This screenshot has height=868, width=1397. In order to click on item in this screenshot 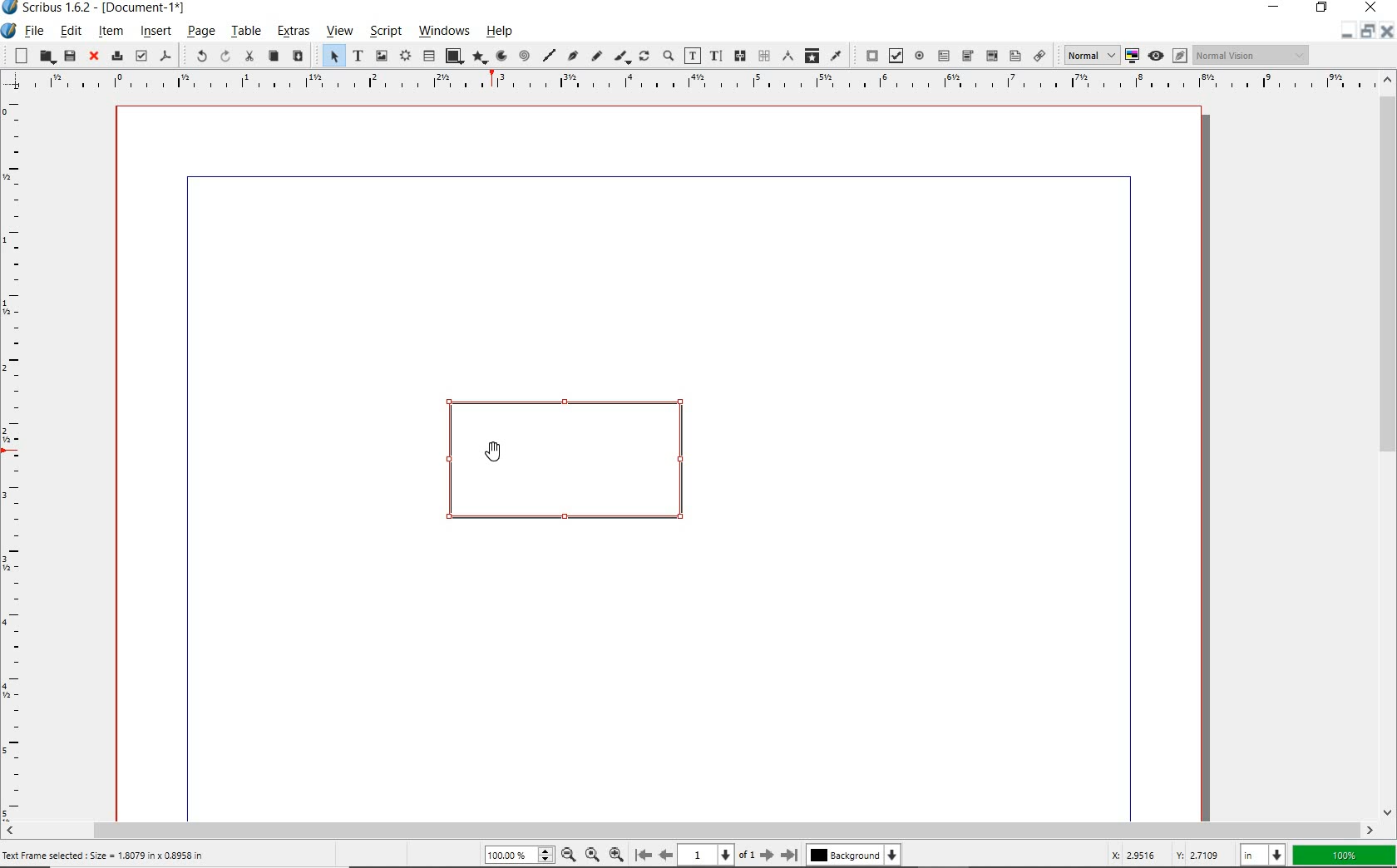, I will do `click(112, 33)`.